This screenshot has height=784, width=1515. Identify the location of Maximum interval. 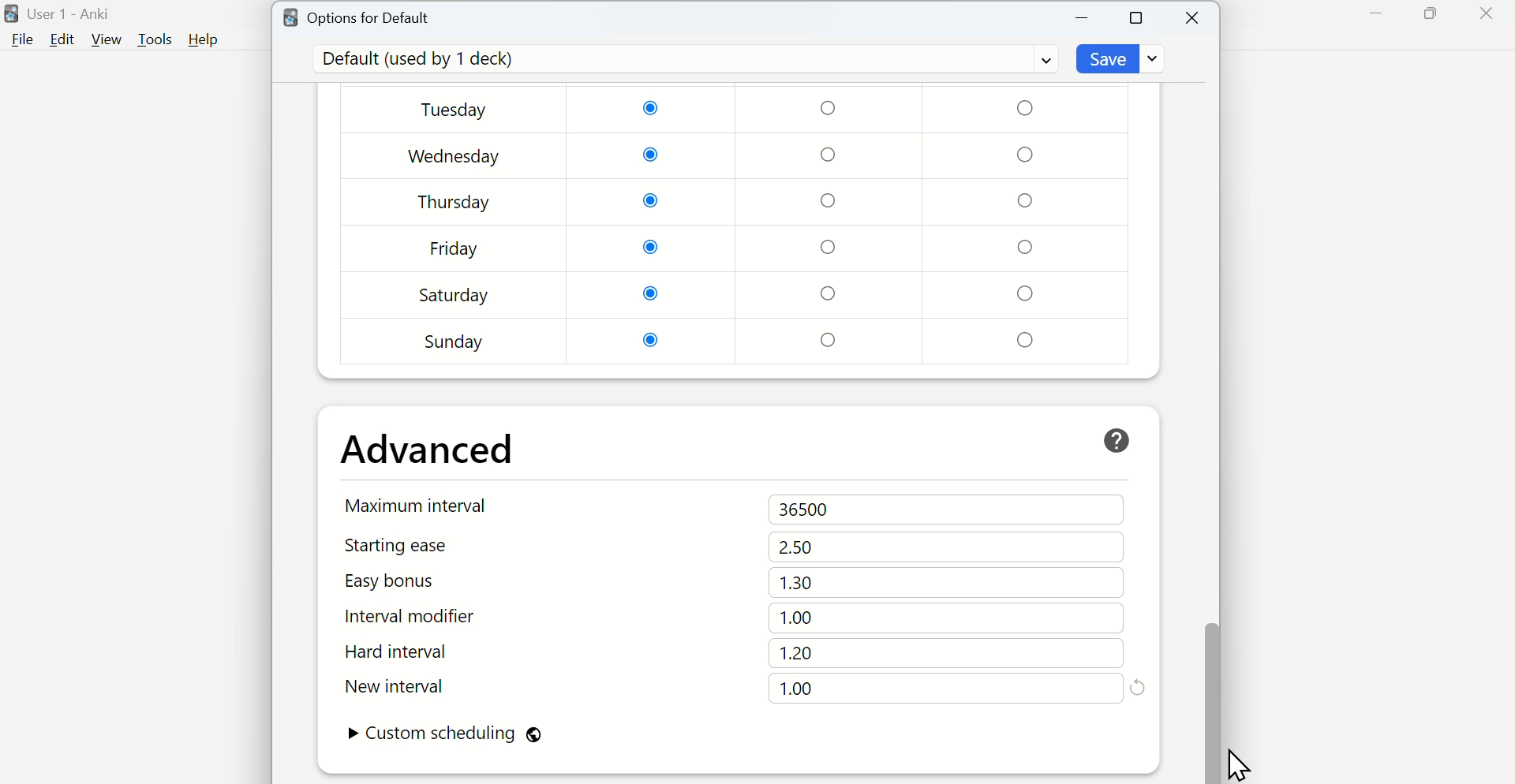
(420, 505).